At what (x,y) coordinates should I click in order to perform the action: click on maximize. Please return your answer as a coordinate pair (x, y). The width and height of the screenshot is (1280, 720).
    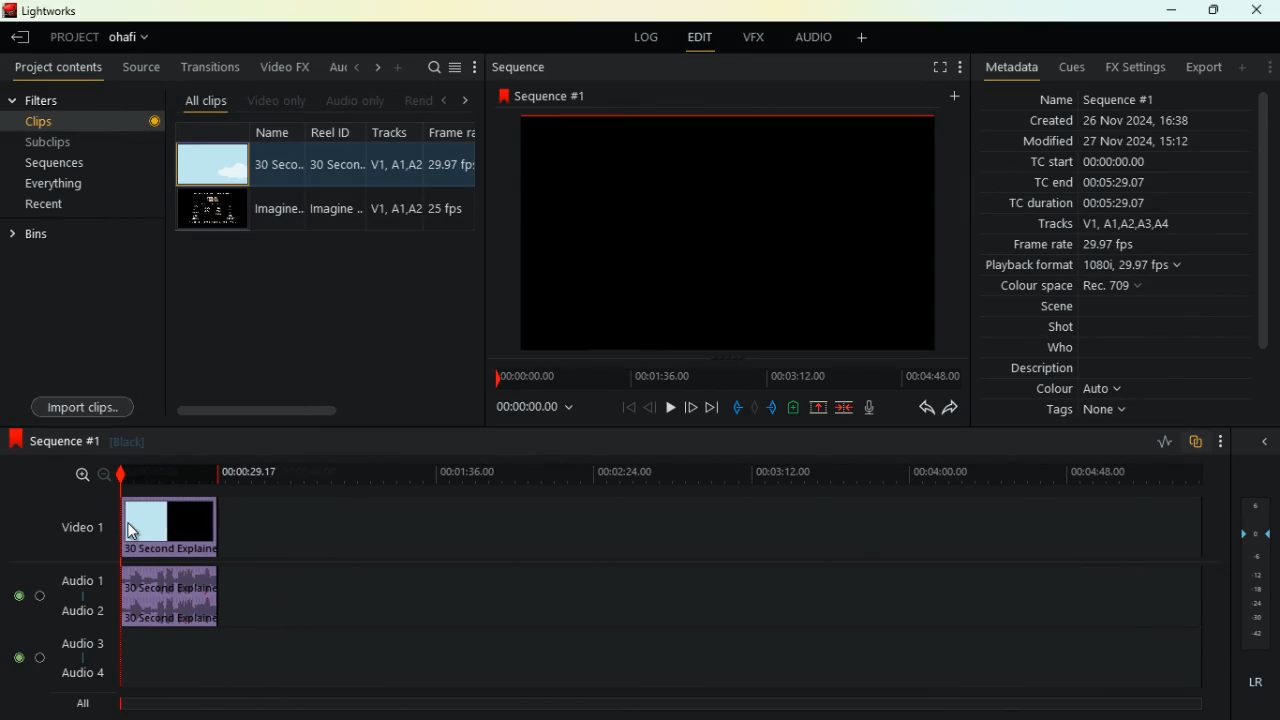
    Looking at the image, I should click on (1216, 11).